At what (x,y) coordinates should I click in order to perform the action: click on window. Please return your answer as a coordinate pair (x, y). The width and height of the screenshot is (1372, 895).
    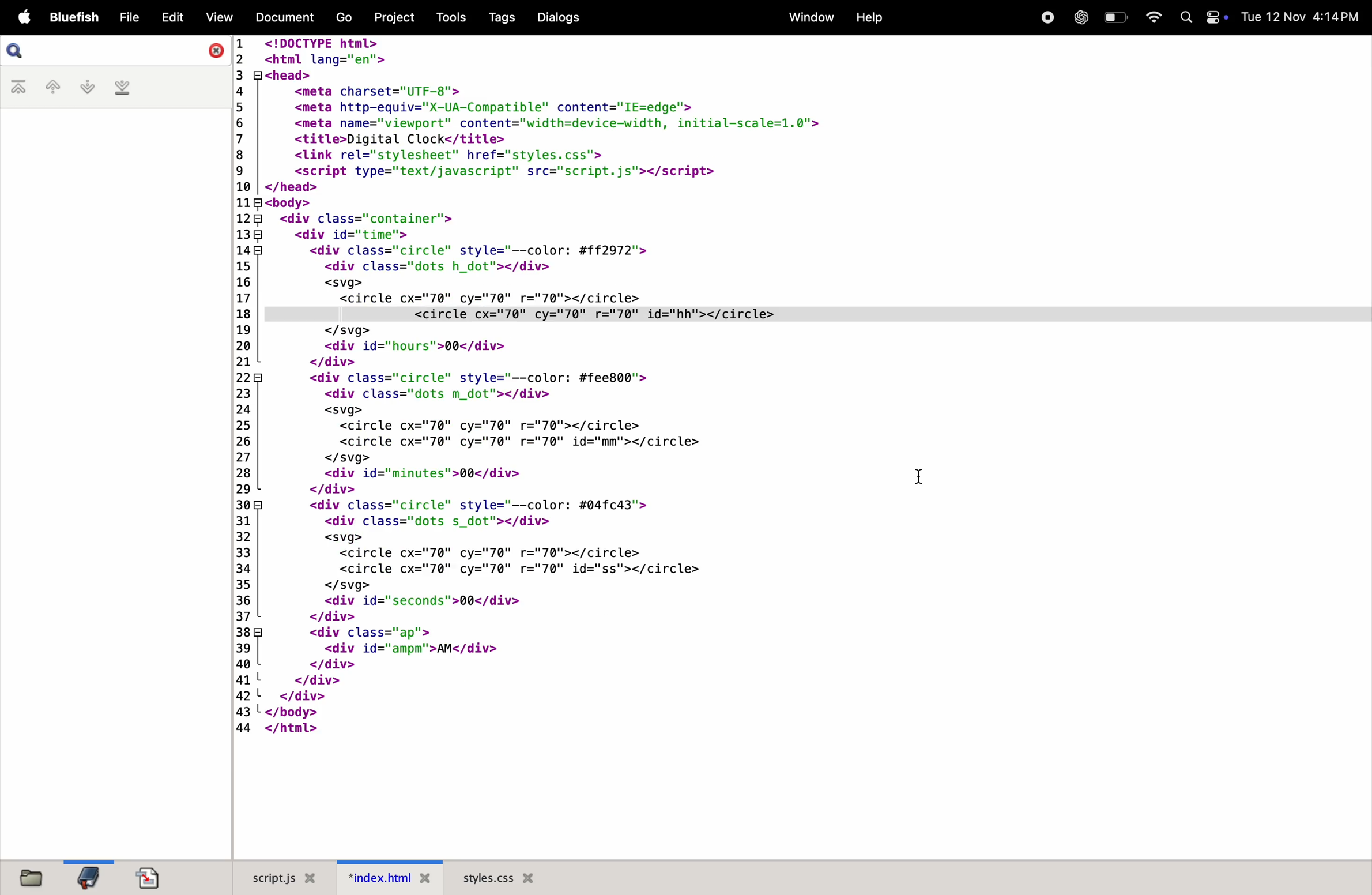
    Looking at the image, I should click on (807, 17).